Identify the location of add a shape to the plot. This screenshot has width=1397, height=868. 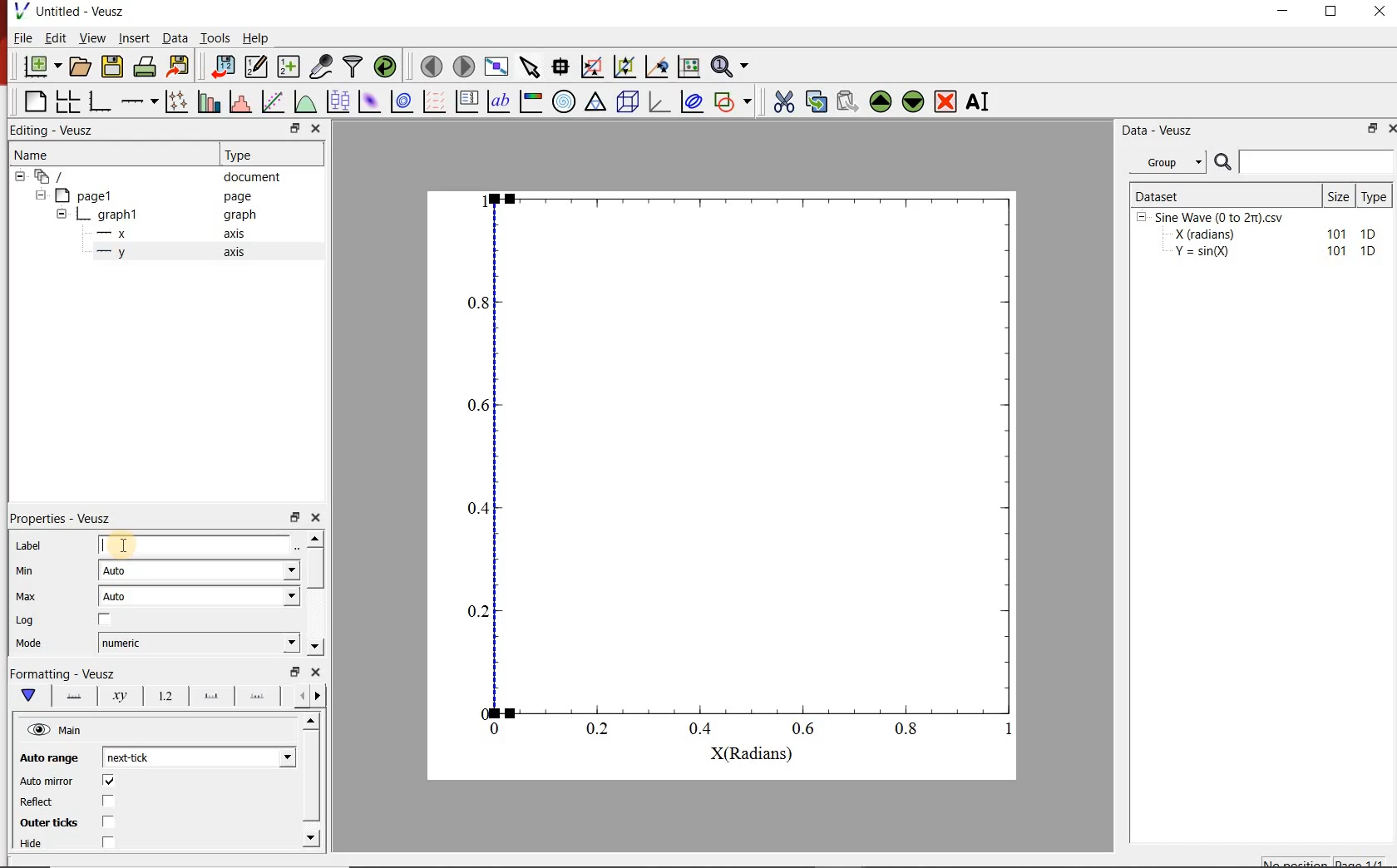
(736, 101).